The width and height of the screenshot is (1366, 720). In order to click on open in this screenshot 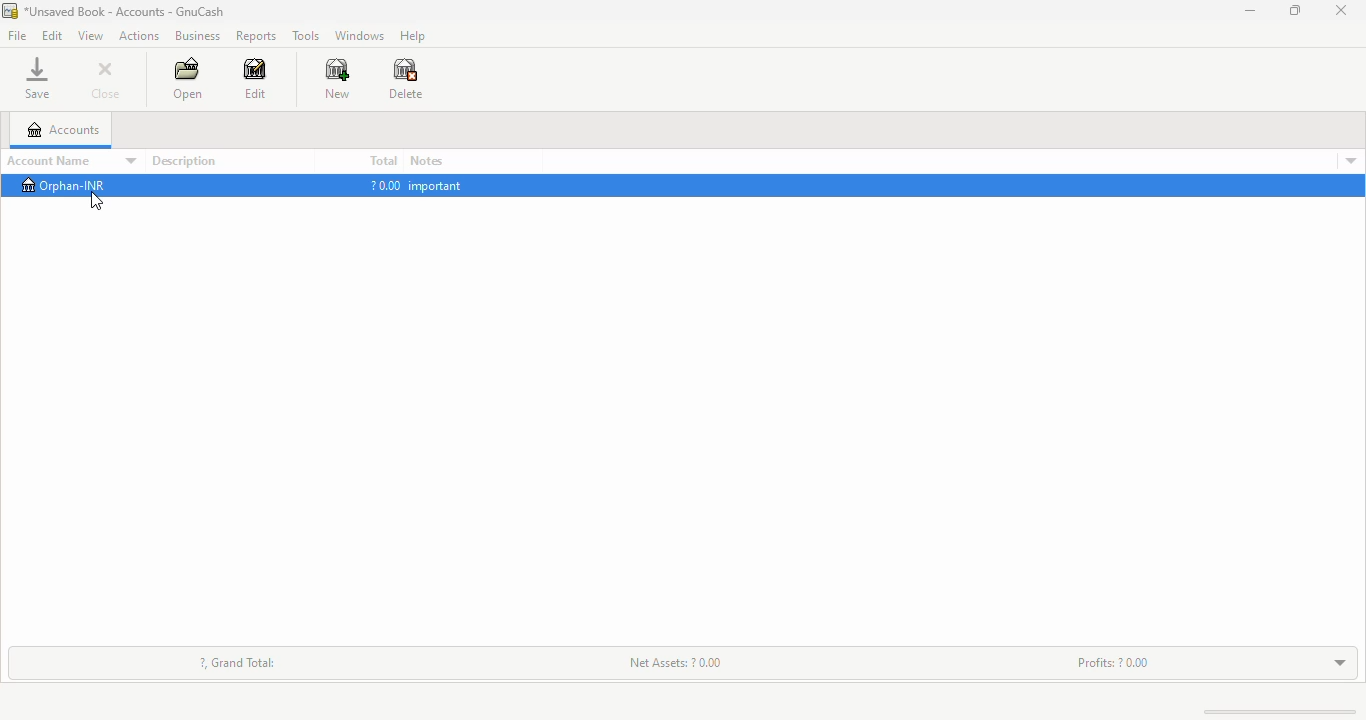, I will do `click(187, 78)`.